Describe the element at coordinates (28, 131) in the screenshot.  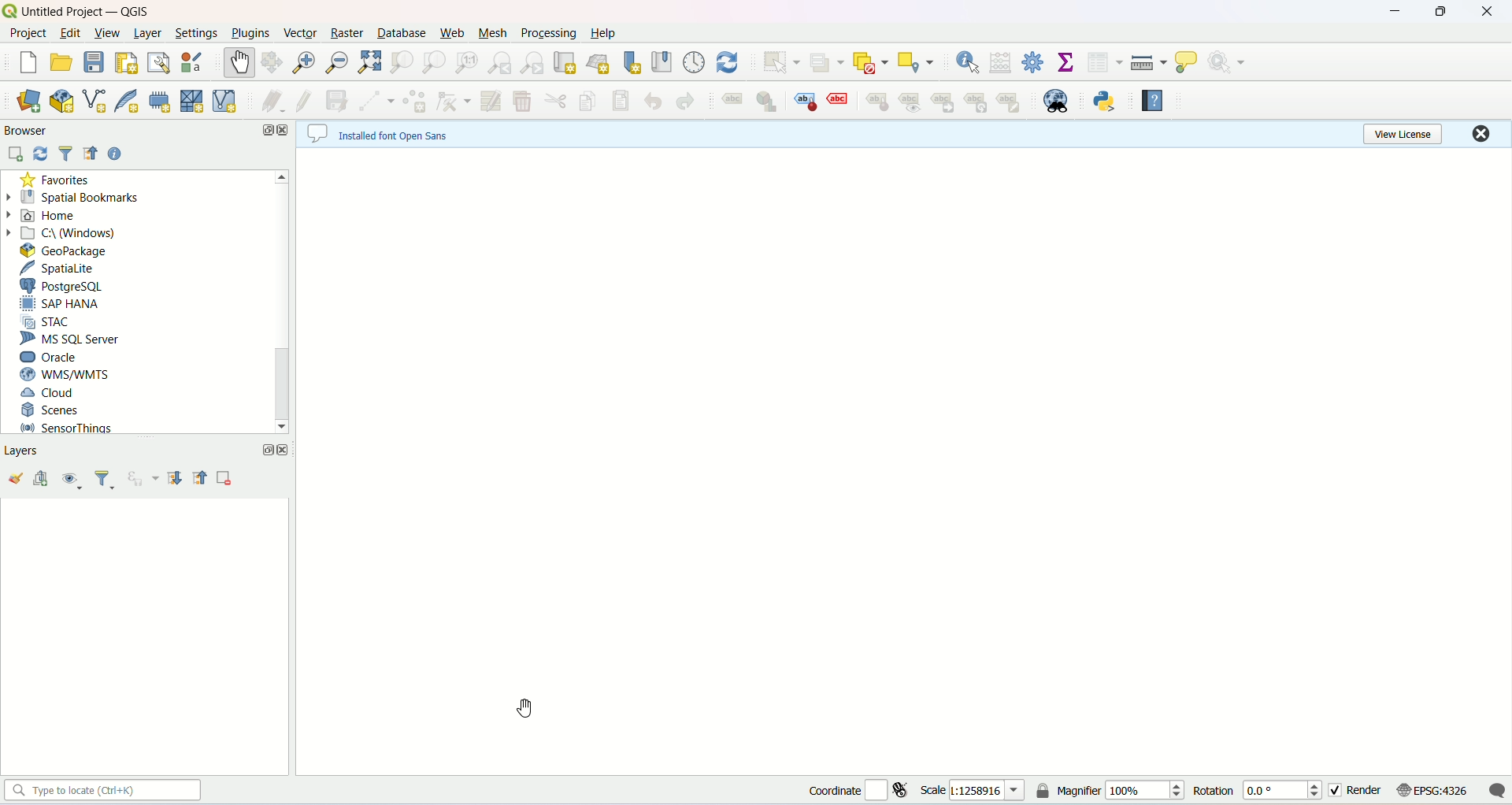
I see `browser` at that location.